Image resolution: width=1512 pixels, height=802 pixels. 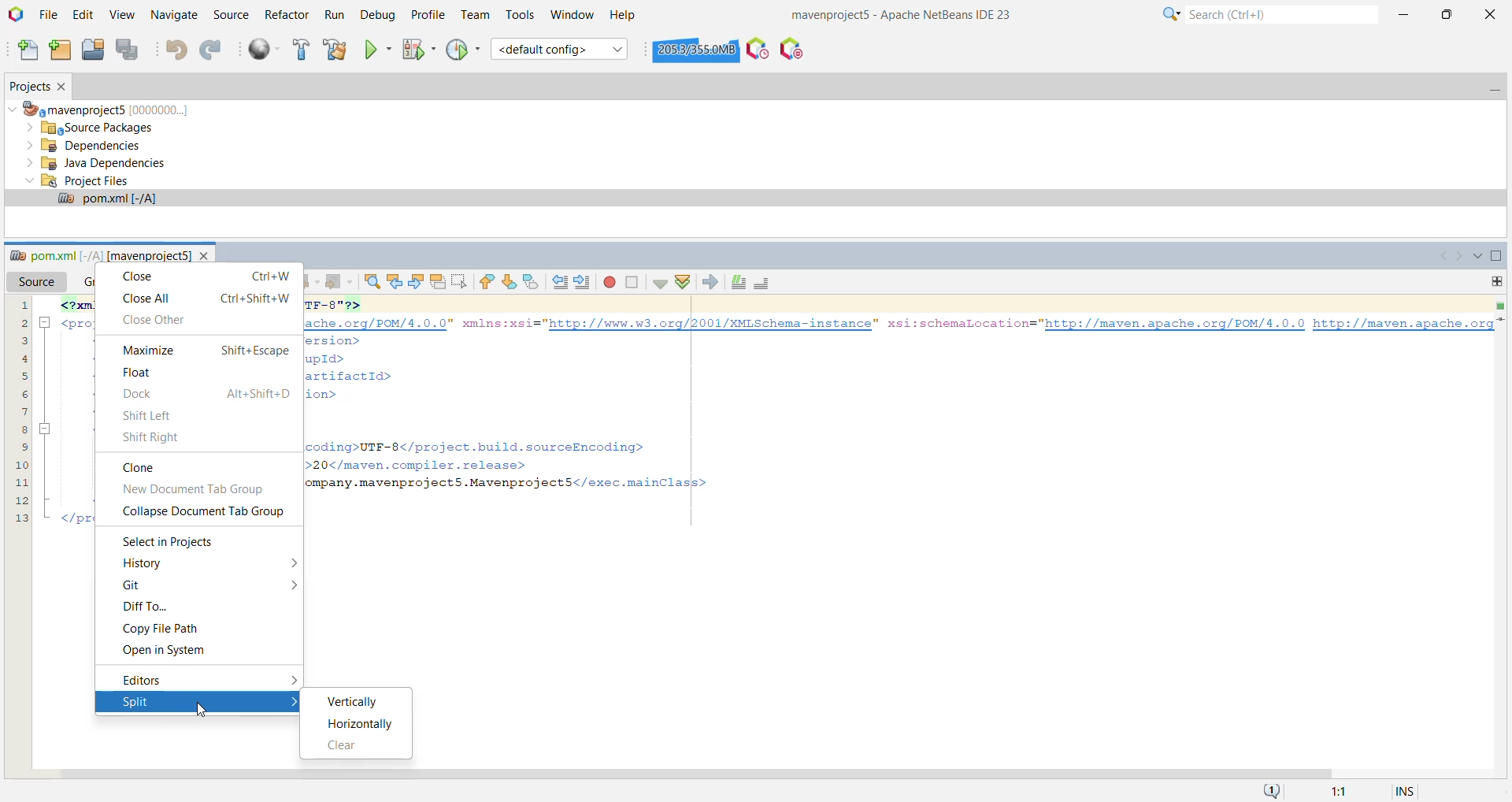 What do you see at coordinates (758, 48) in the screenshot?
I see `Profile the IDE` at bounding box center [758, 48].